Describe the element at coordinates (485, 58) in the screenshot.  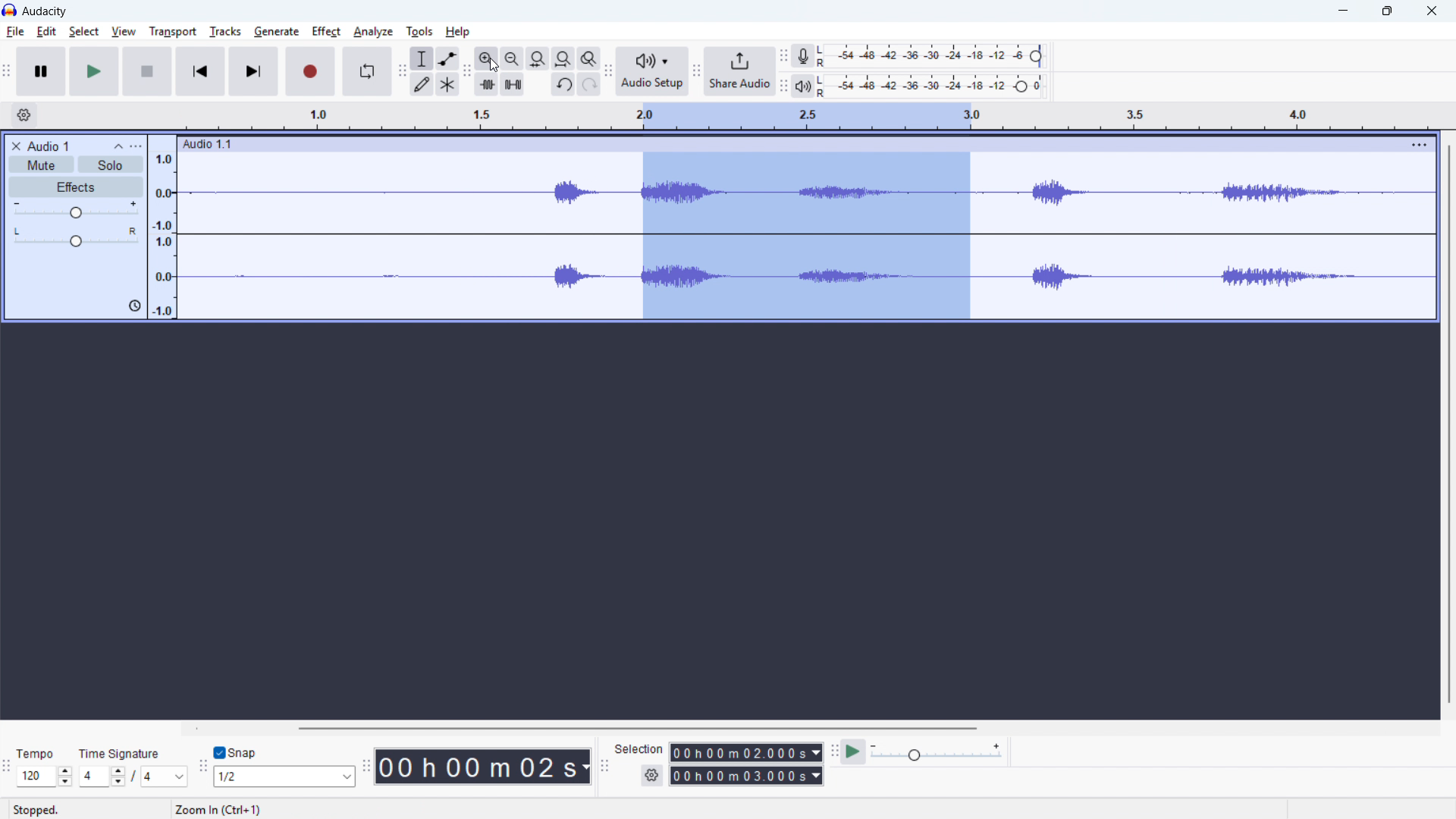
I see `ZoZoom in` at that location.